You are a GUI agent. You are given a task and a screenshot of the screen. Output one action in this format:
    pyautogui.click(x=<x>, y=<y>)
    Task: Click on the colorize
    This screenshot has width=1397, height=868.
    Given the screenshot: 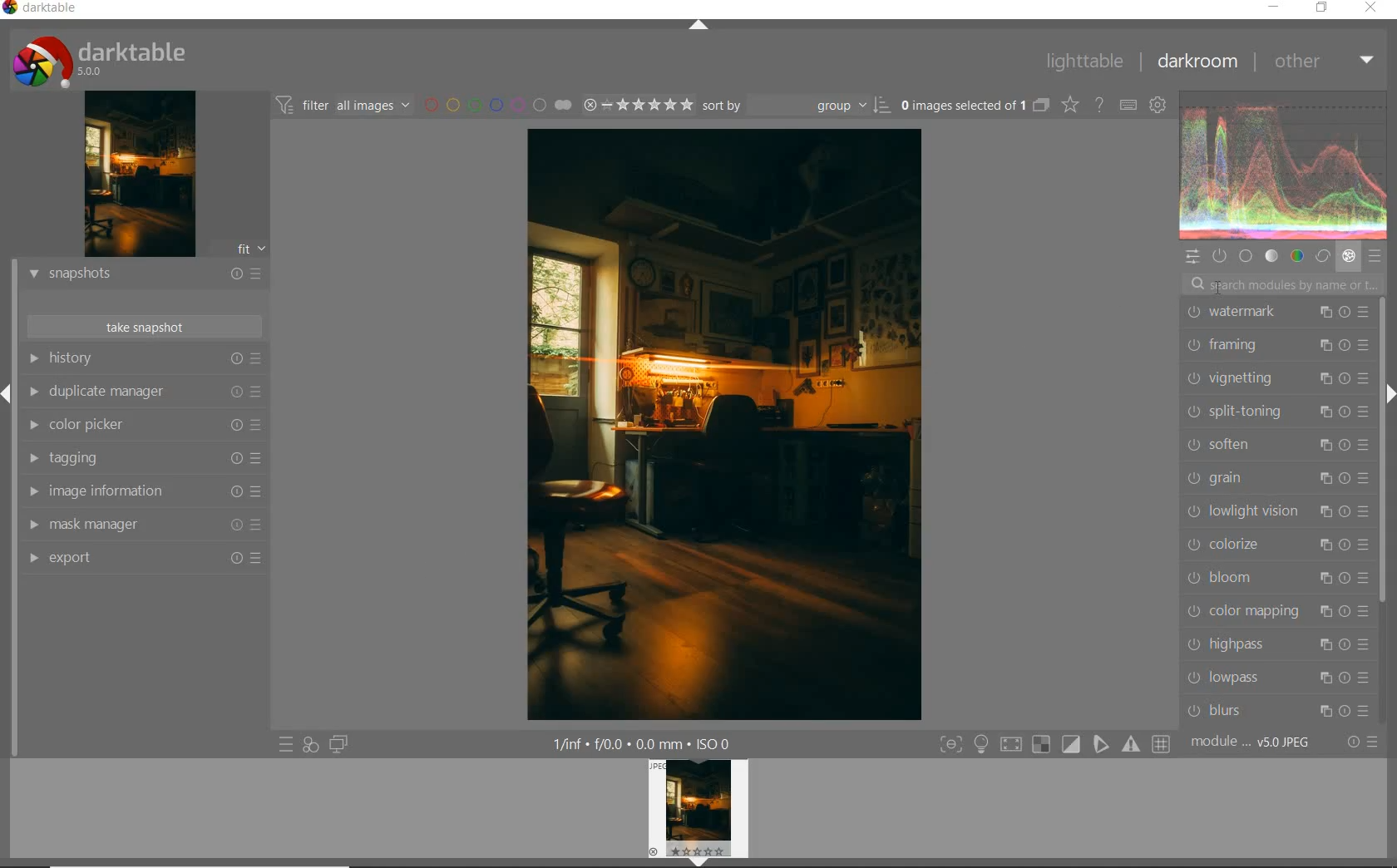 What is the action you would take?
    pyautogui.click(x=1275, y=544)
    